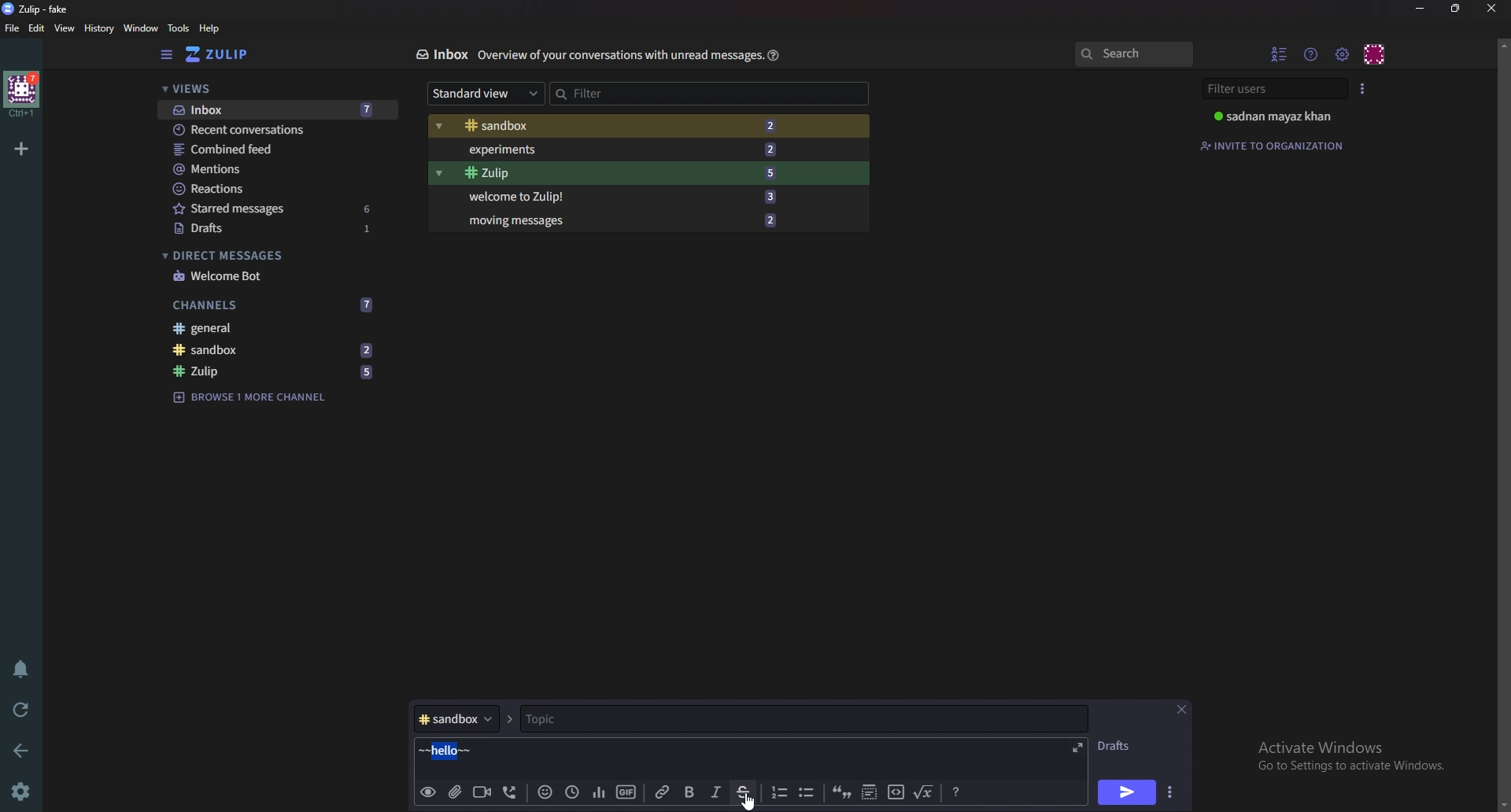  What do you see at coordinates (620, 197) in the screenshot?
I see `Welcome to Zulip` at bounding box center [620, 197].